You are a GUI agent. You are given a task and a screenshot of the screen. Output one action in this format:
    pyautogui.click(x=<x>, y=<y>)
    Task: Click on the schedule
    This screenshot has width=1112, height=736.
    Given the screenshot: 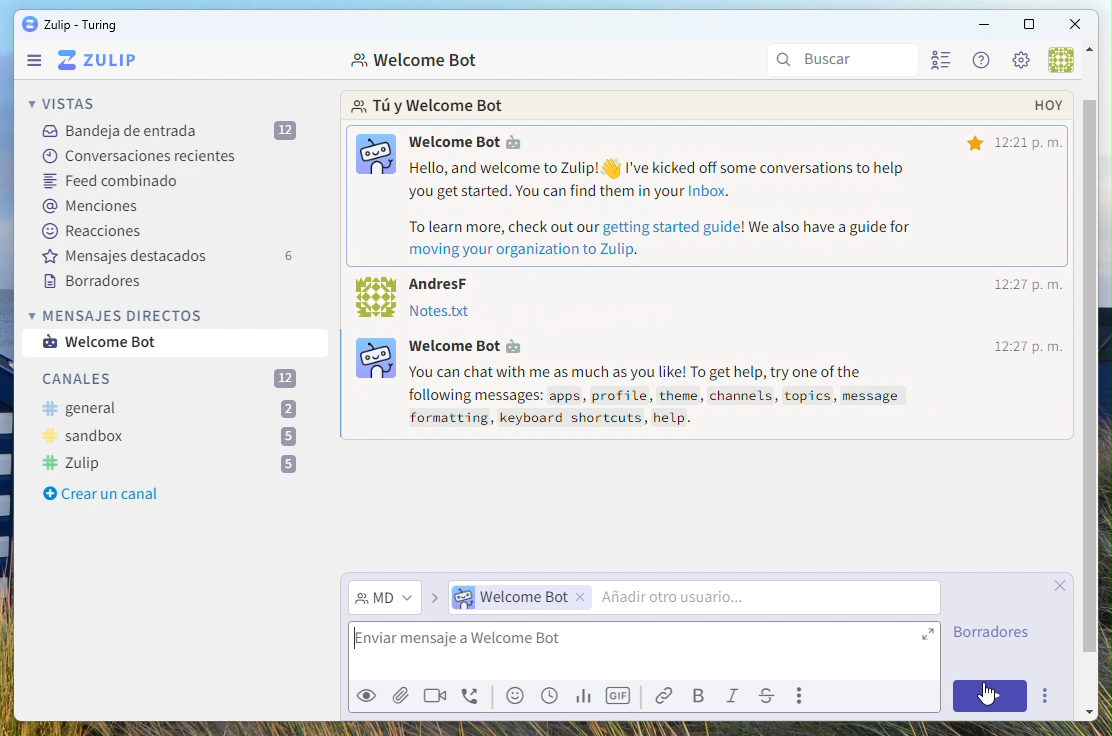 What is the action you would take?
    pyautogui.click(x=550, y=696)
    